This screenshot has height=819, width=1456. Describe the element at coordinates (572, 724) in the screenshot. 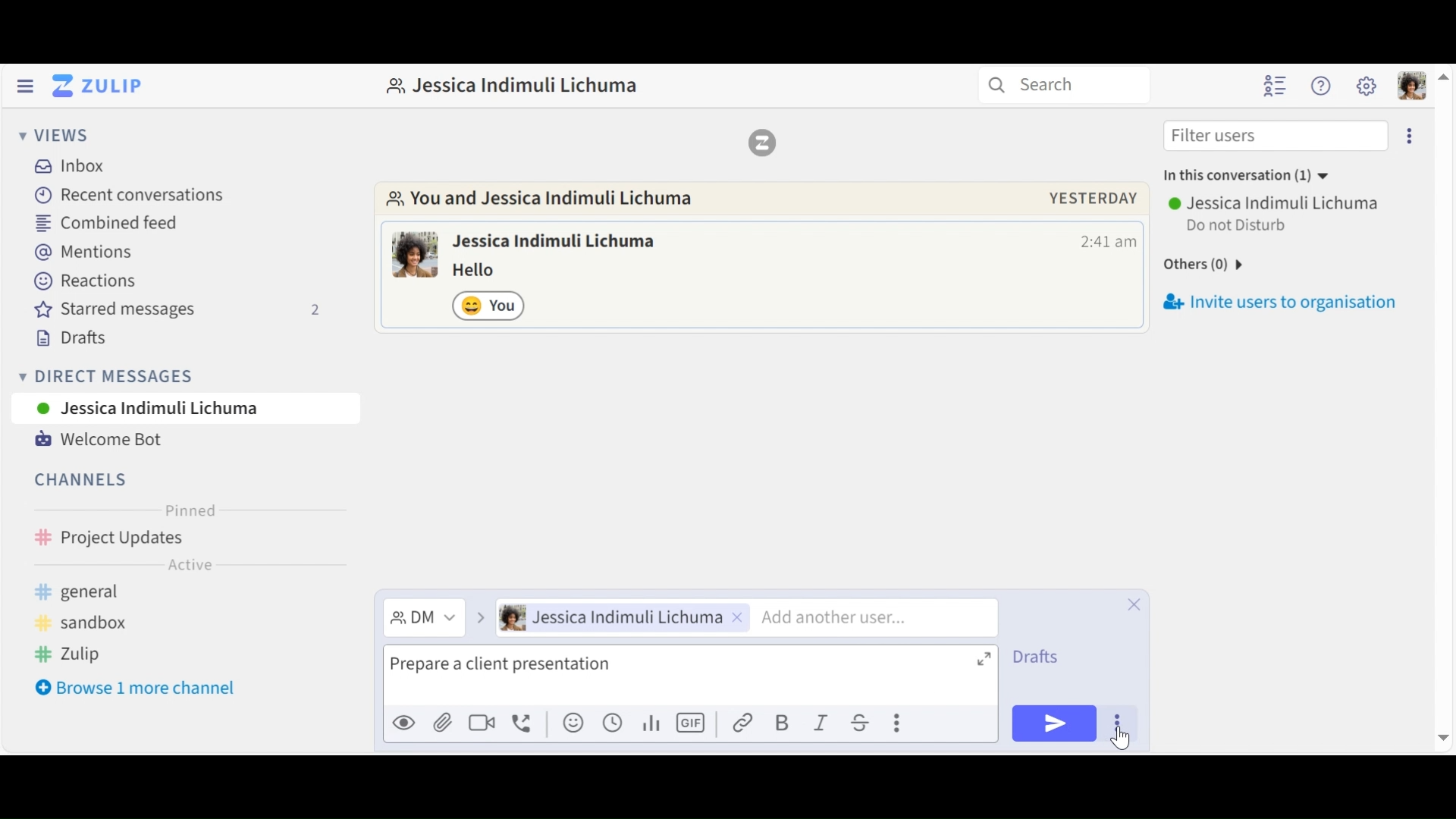

I see `Add emoji` at that location.